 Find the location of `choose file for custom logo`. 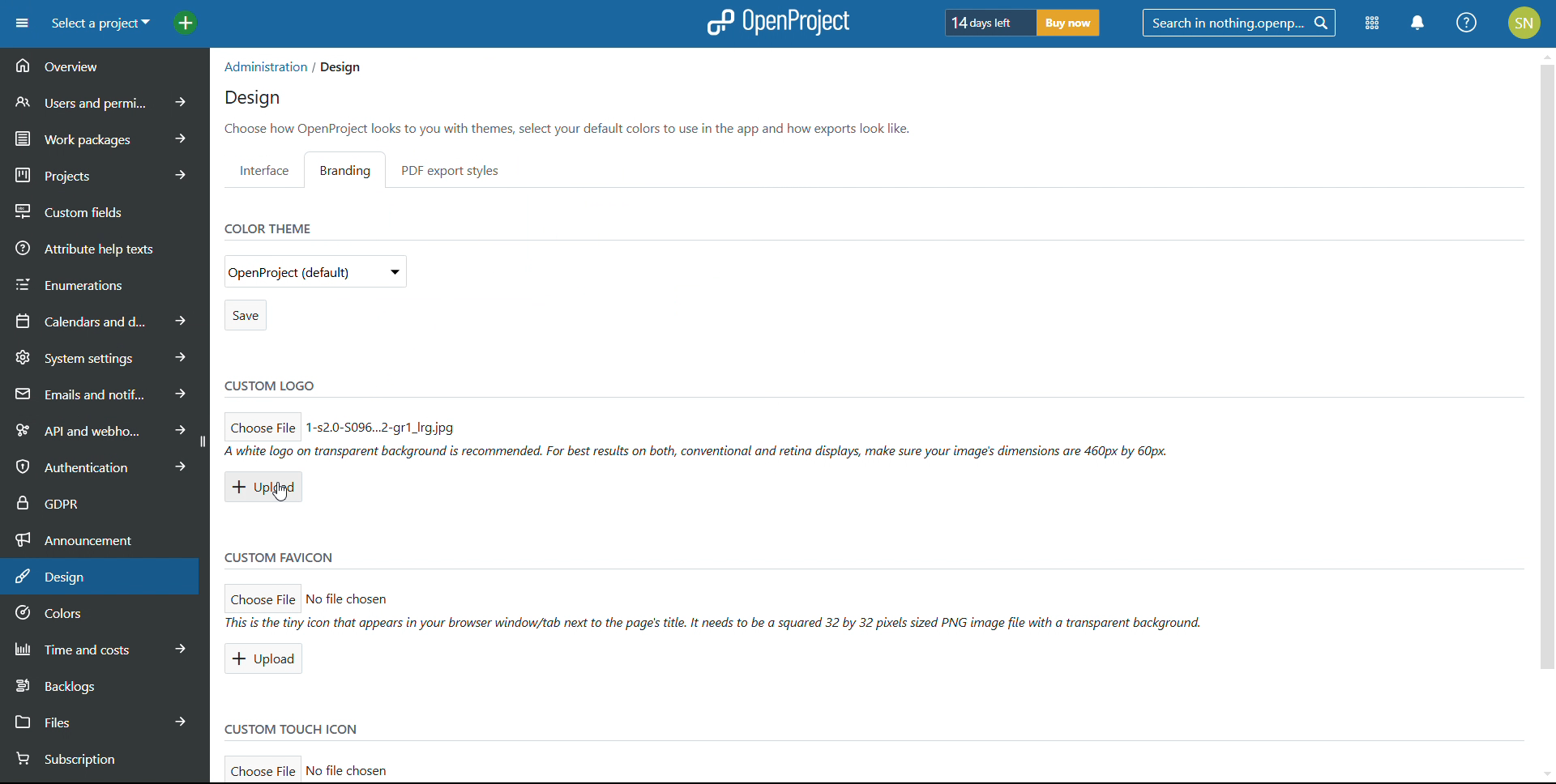

choose file for custom logo is located at coordinates (261, 425).